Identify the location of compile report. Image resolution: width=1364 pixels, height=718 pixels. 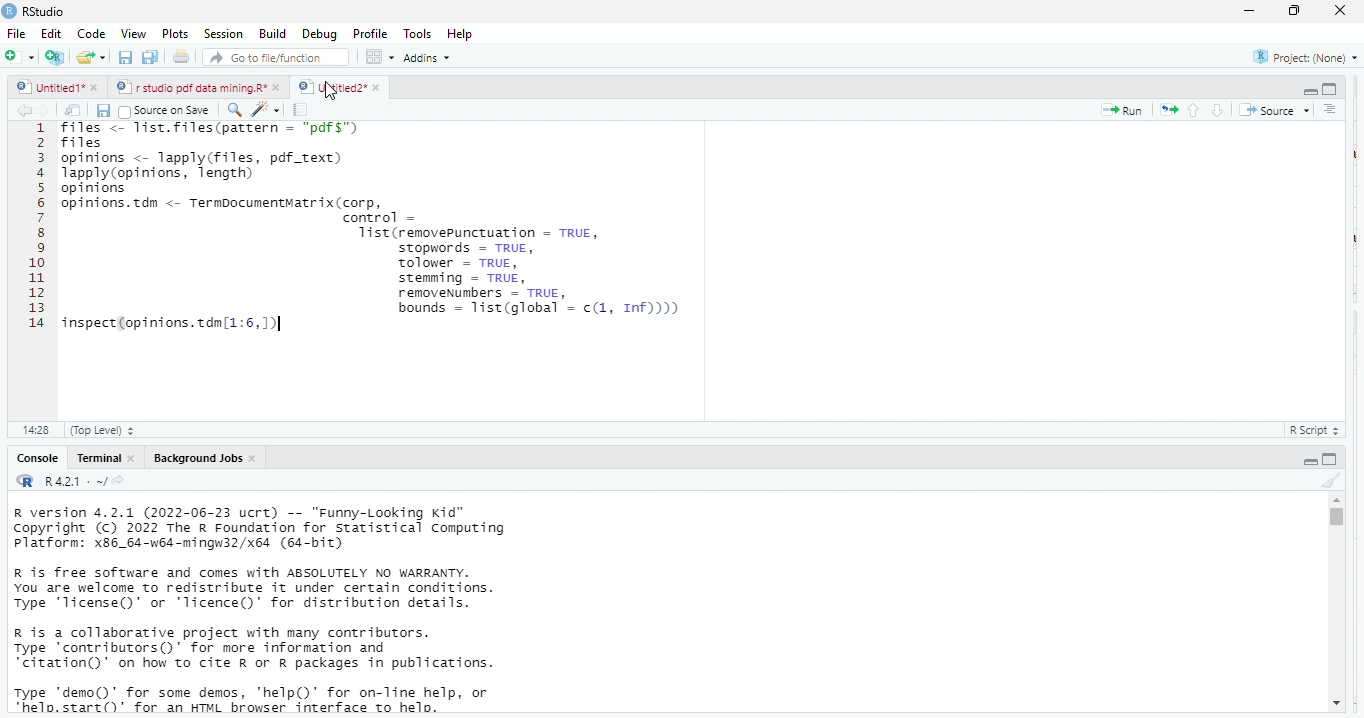
(303, 110).